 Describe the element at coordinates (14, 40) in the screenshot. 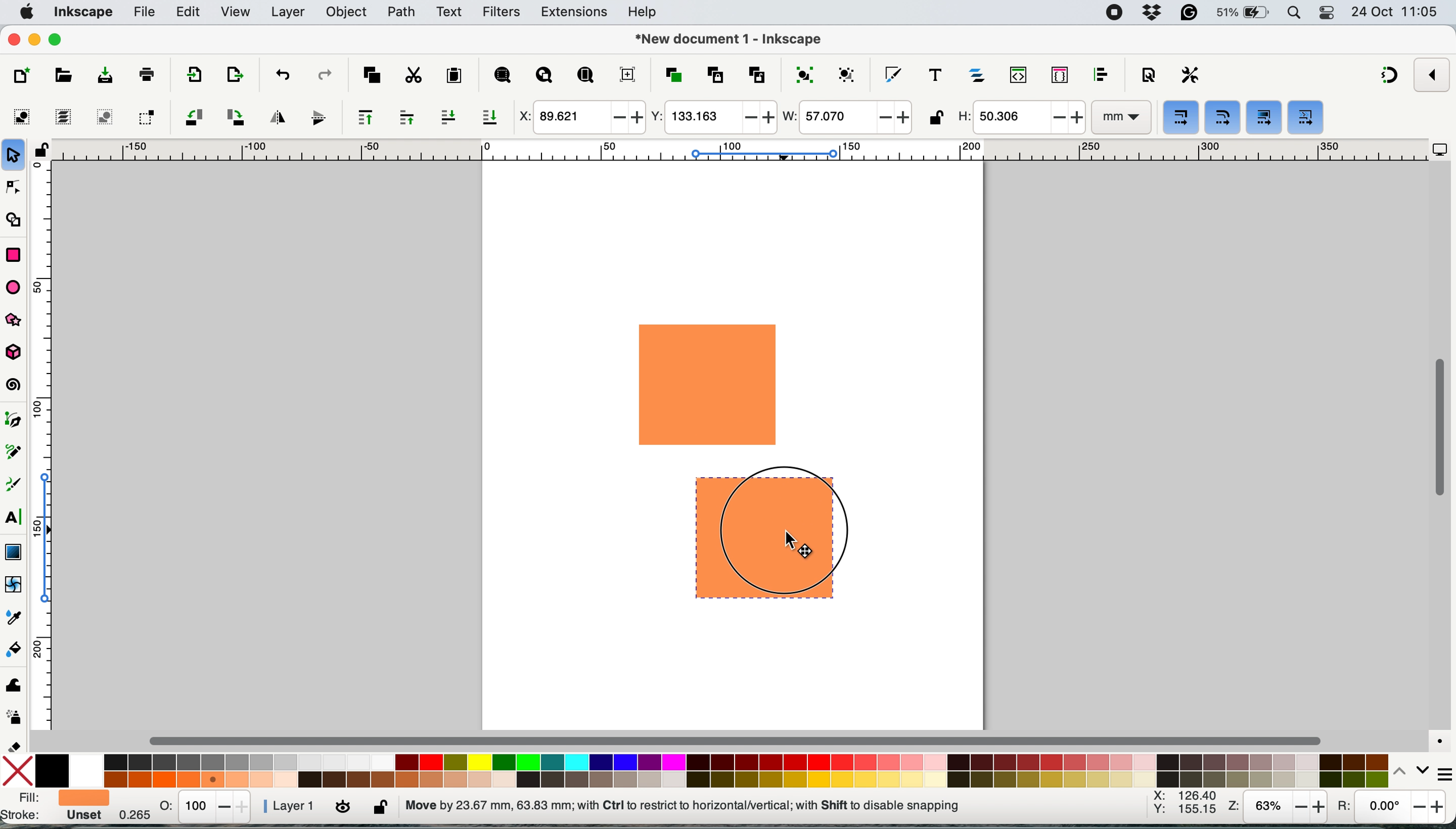

I see `close` at that location.